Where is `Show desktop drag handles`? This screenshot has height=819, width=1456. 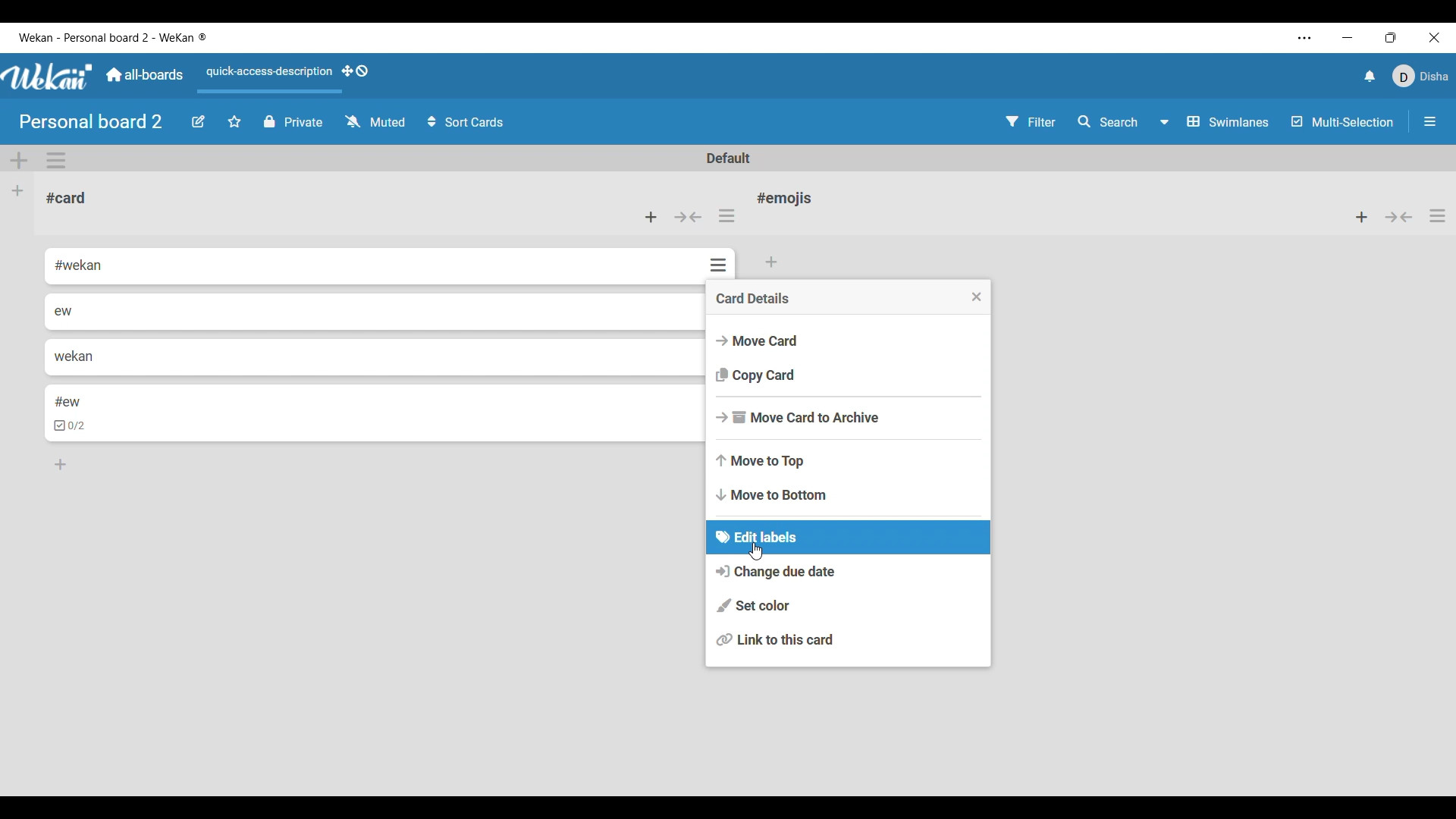
Show desktop drag handles is located at coordinates (355, 71).